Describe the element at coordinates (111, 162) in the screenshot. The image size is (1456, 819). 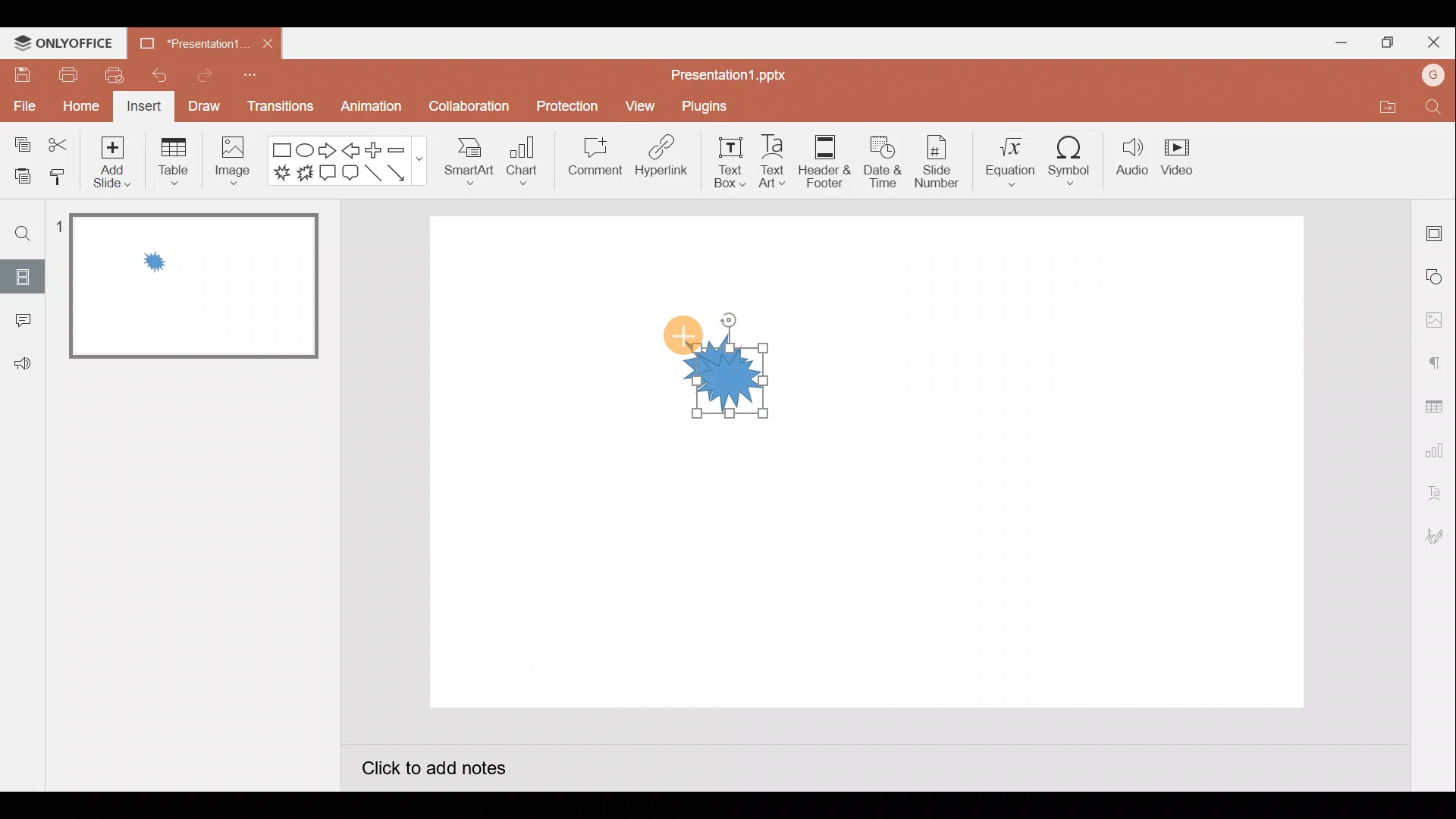
I see `Add slide` at that location.